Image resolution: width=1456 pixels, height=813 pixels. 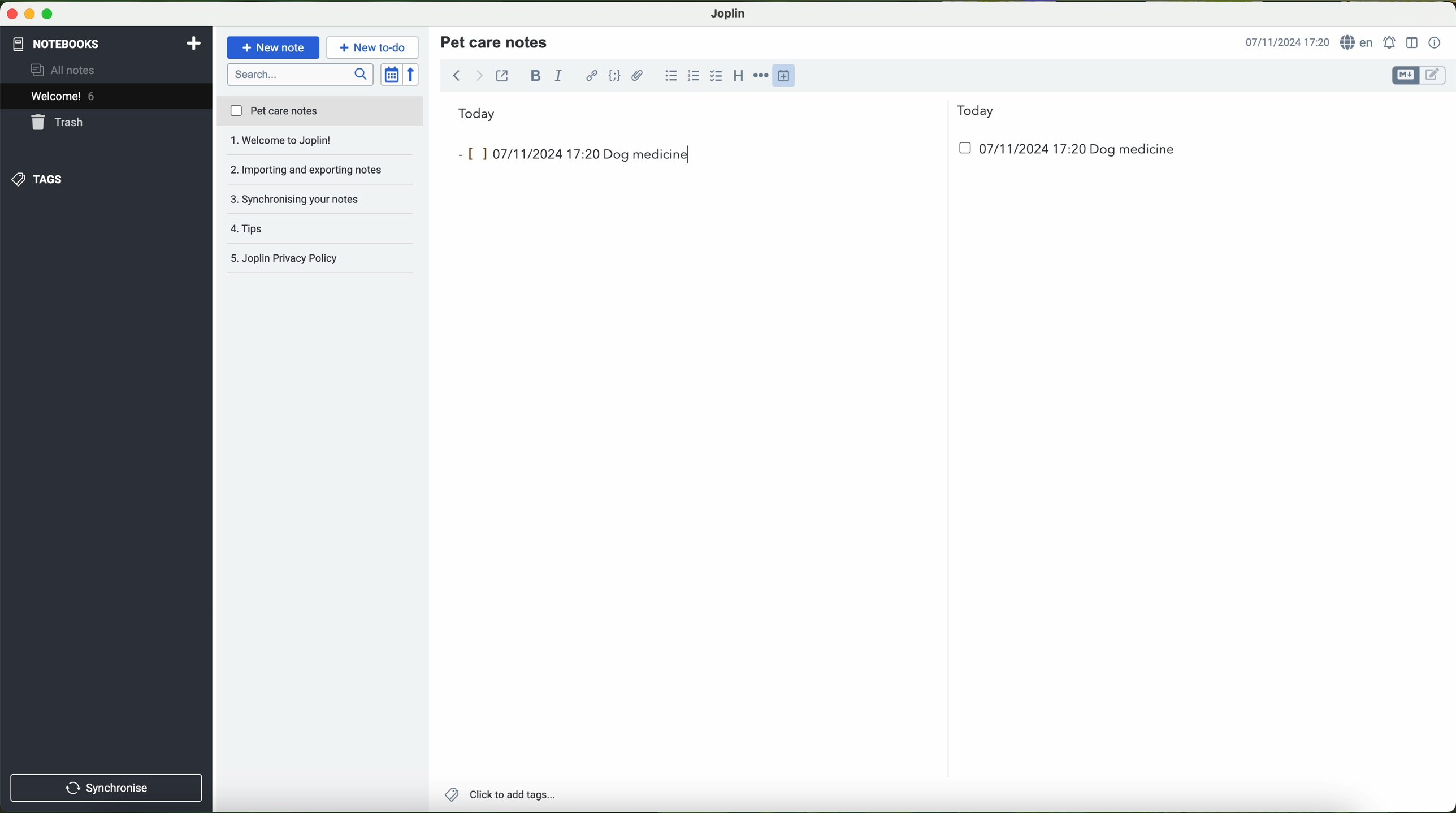 What do you see at coordinates (314, 260) in the screenshot?
I see `joplin privacy policy` at bounding box center [314, 260].